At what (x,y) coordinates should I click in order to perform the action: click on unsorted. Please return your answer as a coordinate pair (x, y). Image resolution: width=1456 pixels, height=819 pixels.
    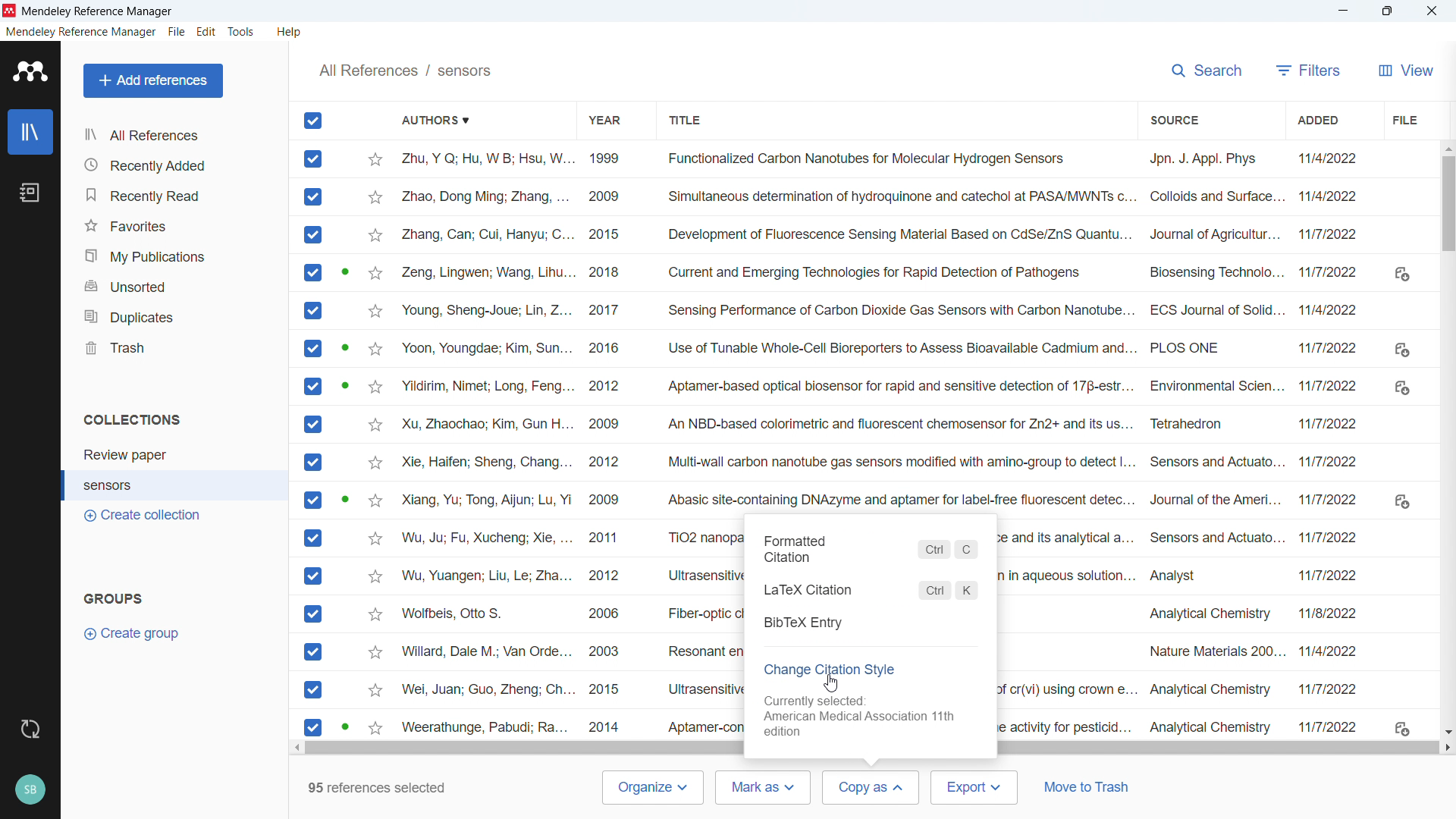
    Looking at the image, I should click on (174, 284).